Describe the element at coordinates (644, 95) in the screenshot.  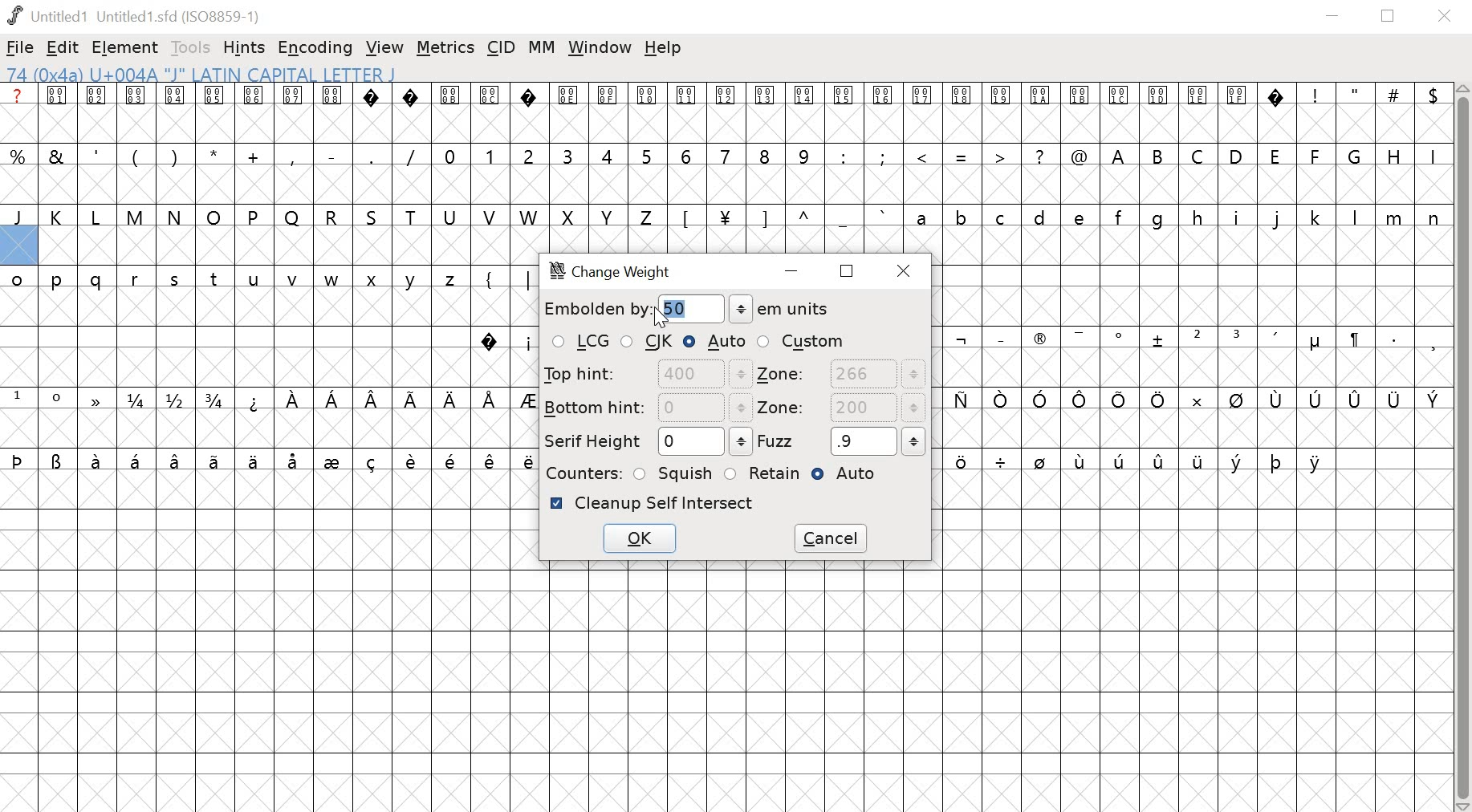
I see `glyph symbols` at that location.